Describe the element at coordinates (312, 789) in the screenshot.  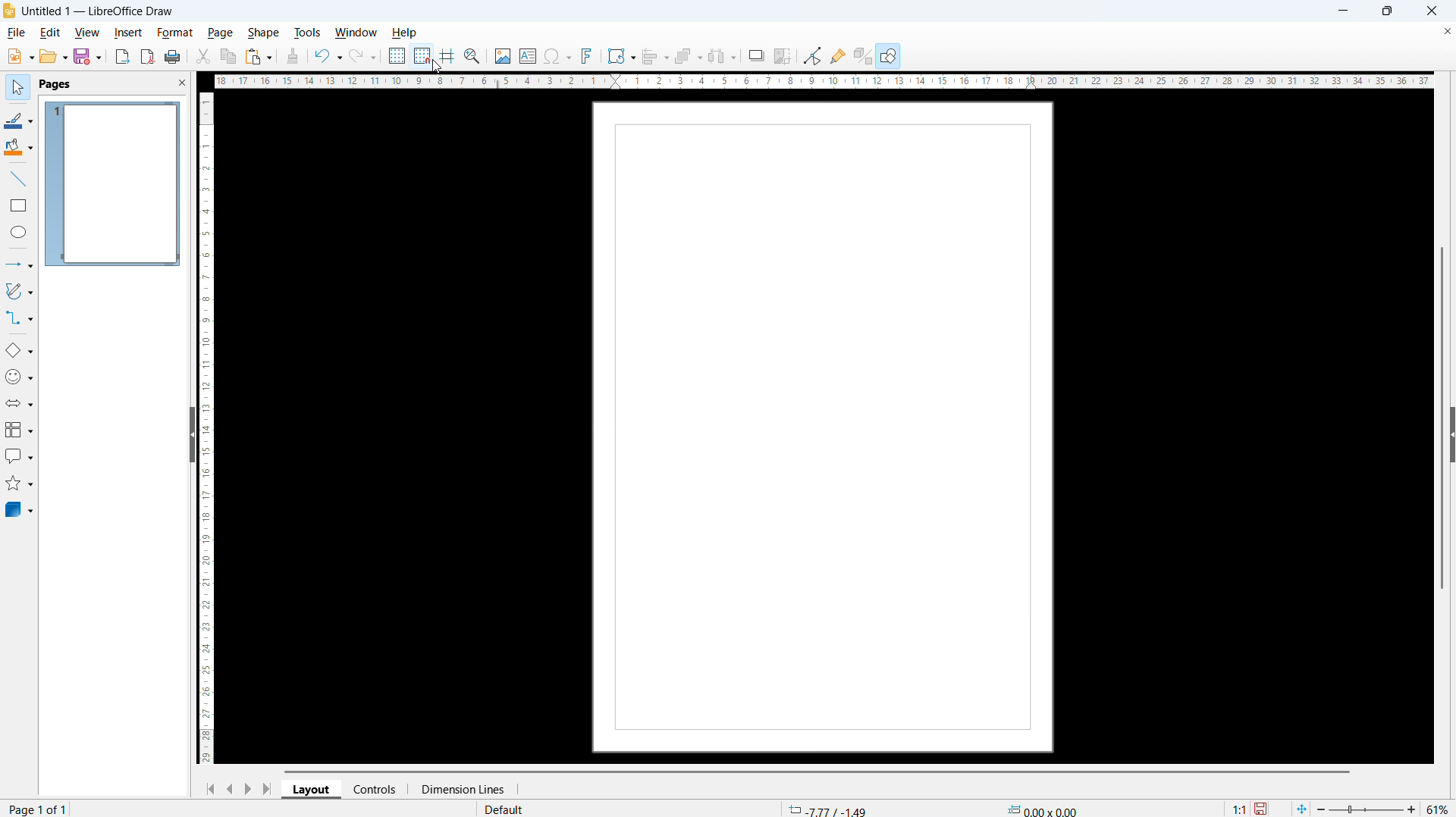
I see `layout` at that location.